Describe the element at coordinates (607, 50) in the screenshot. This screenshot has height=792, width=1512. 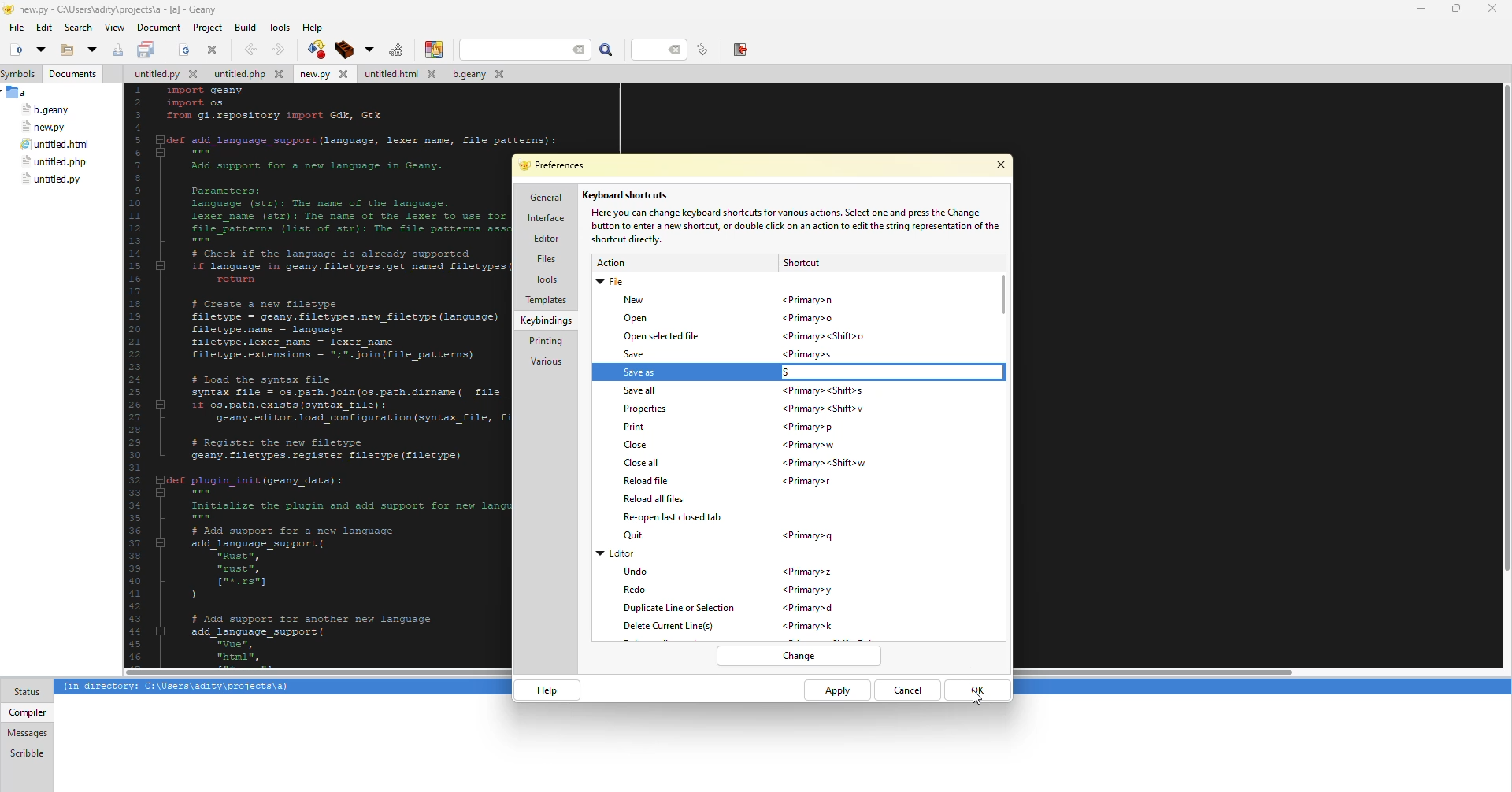
I see `search` at that location.